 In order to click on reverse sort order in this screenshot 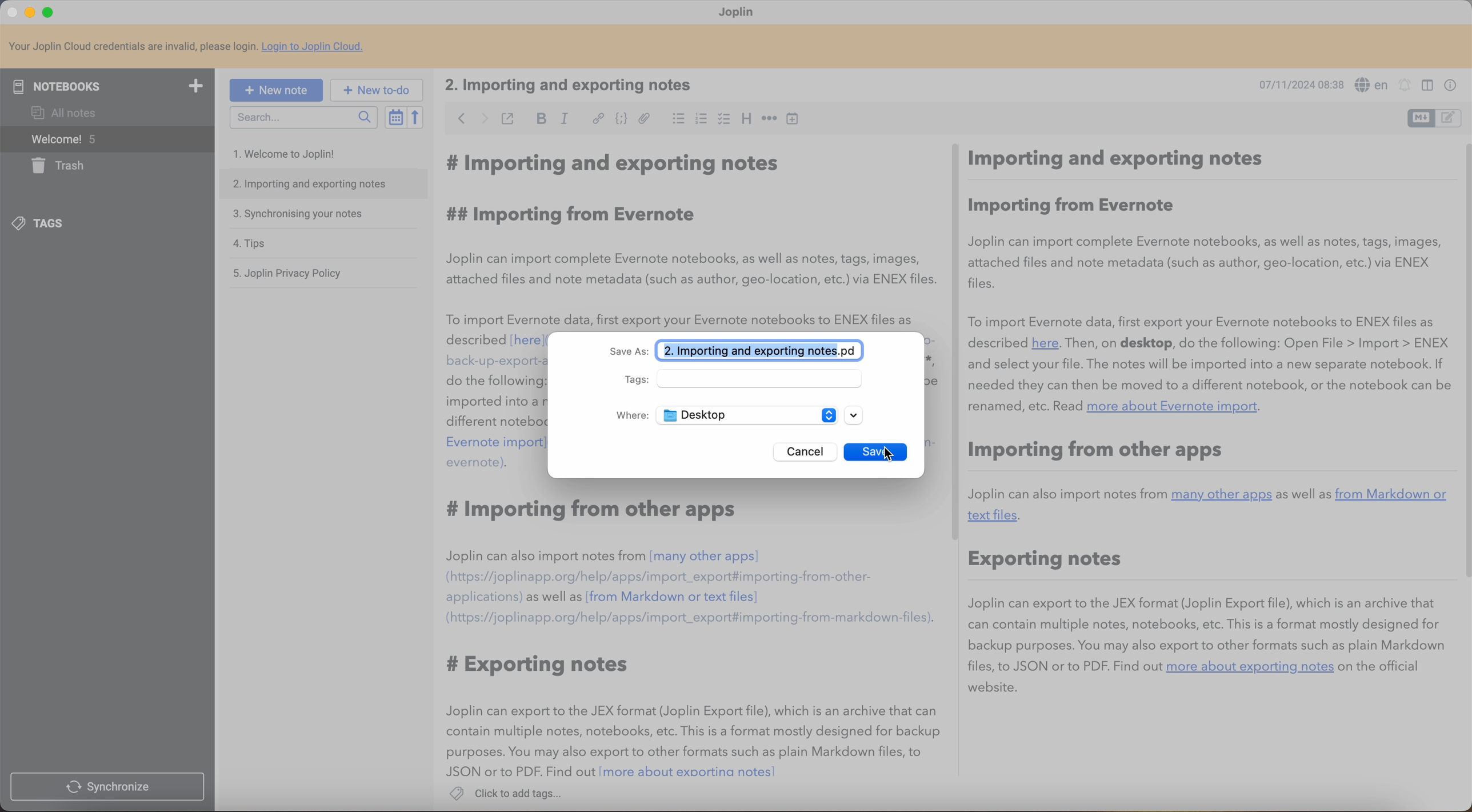, I will do `click(414, 118)`.